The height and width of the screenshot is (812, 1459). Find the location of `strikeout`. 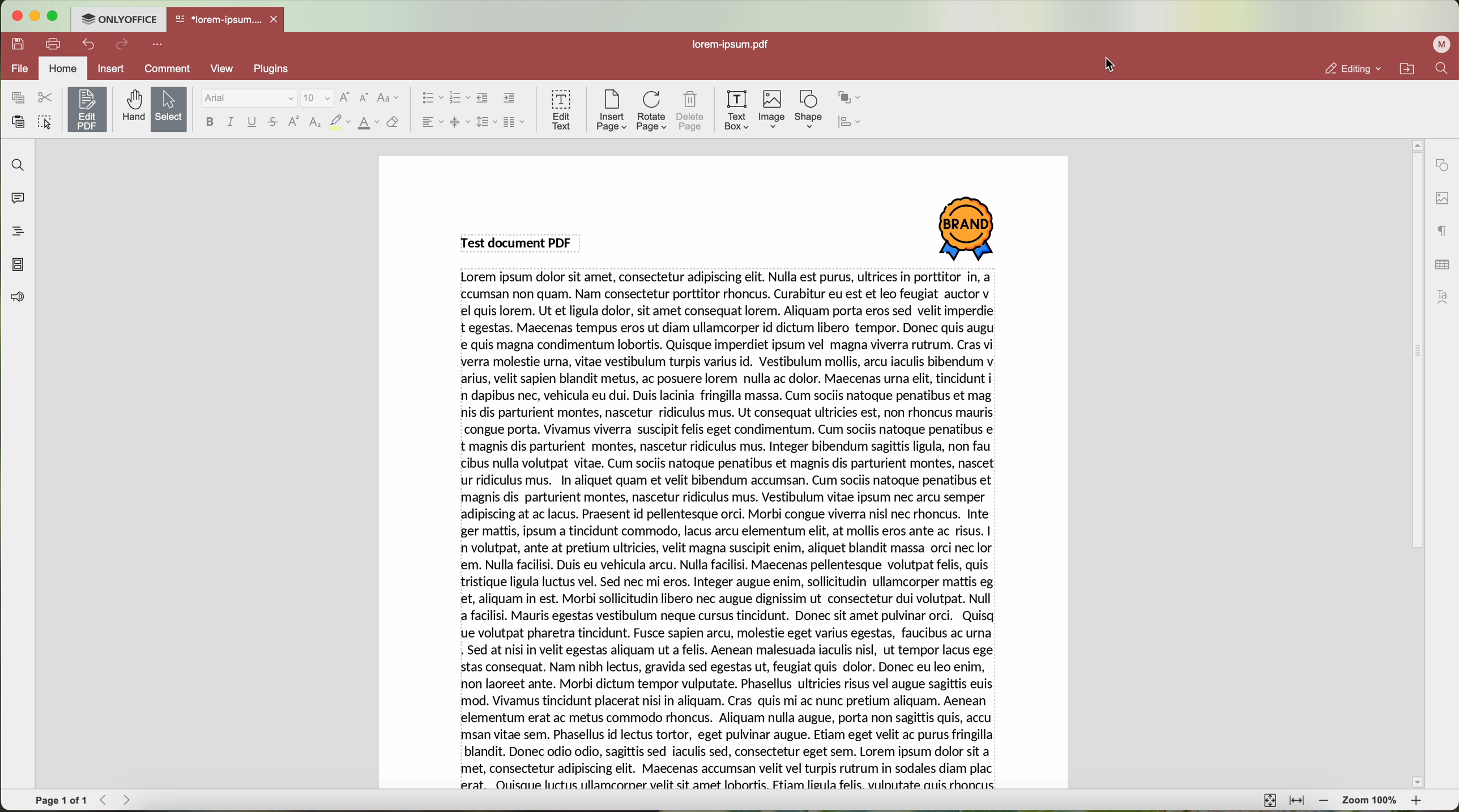

strikeout is located at coordinates (274, 123).